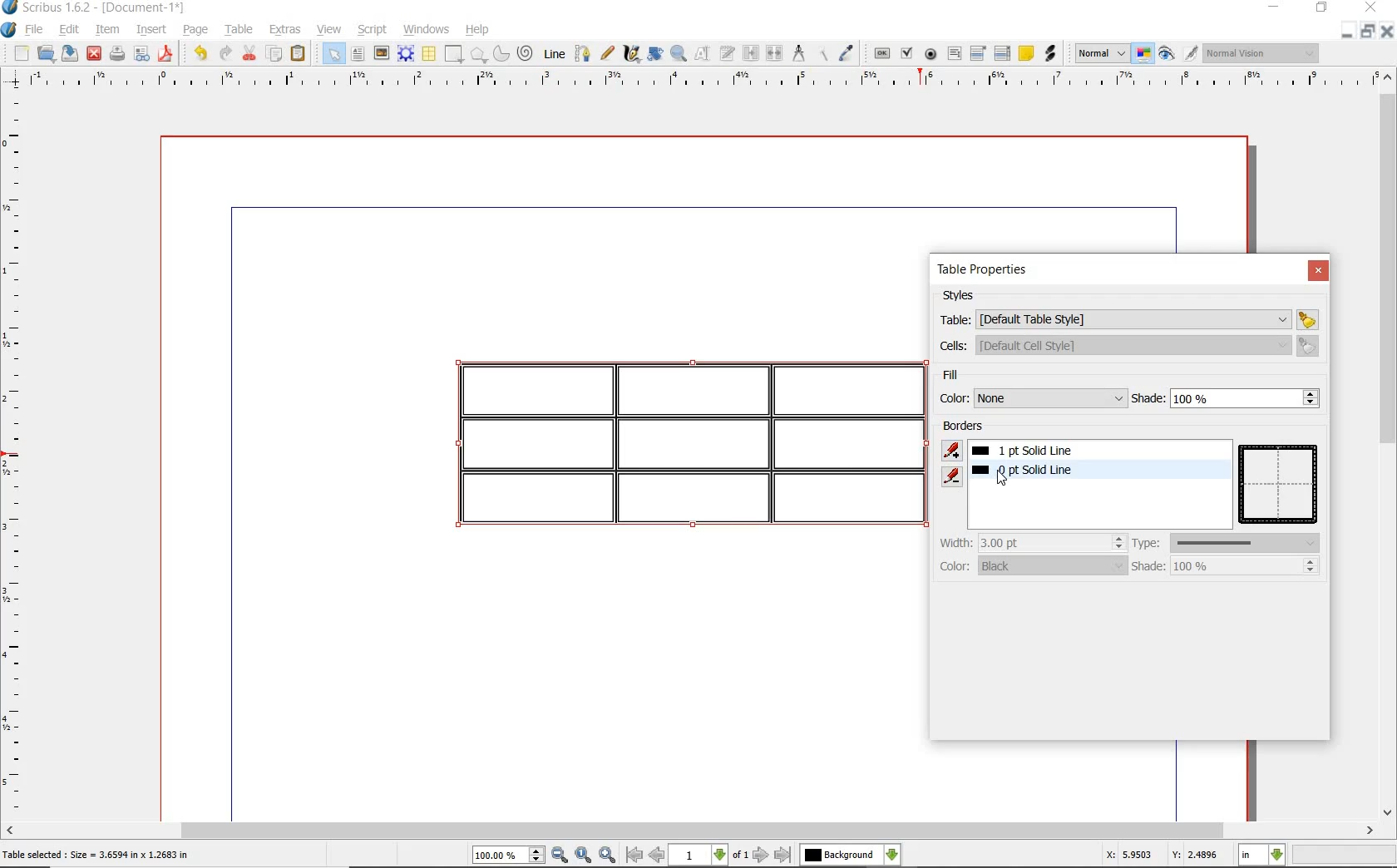  Describe the element at coordinates (984, 272) in the screenshot. I see `table properties` at that location.